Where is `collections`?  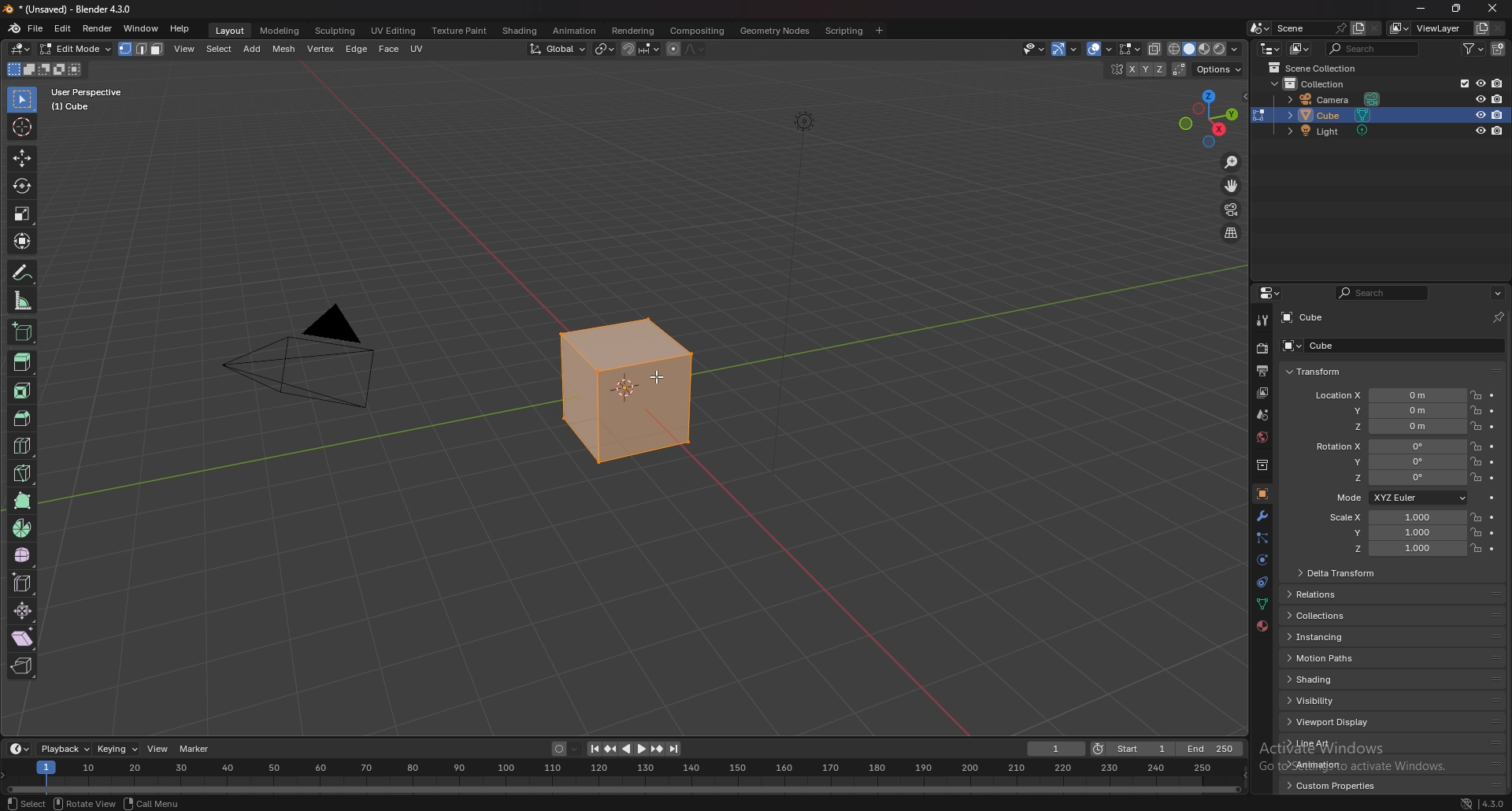 collections is located at coordinates (1336, 614).